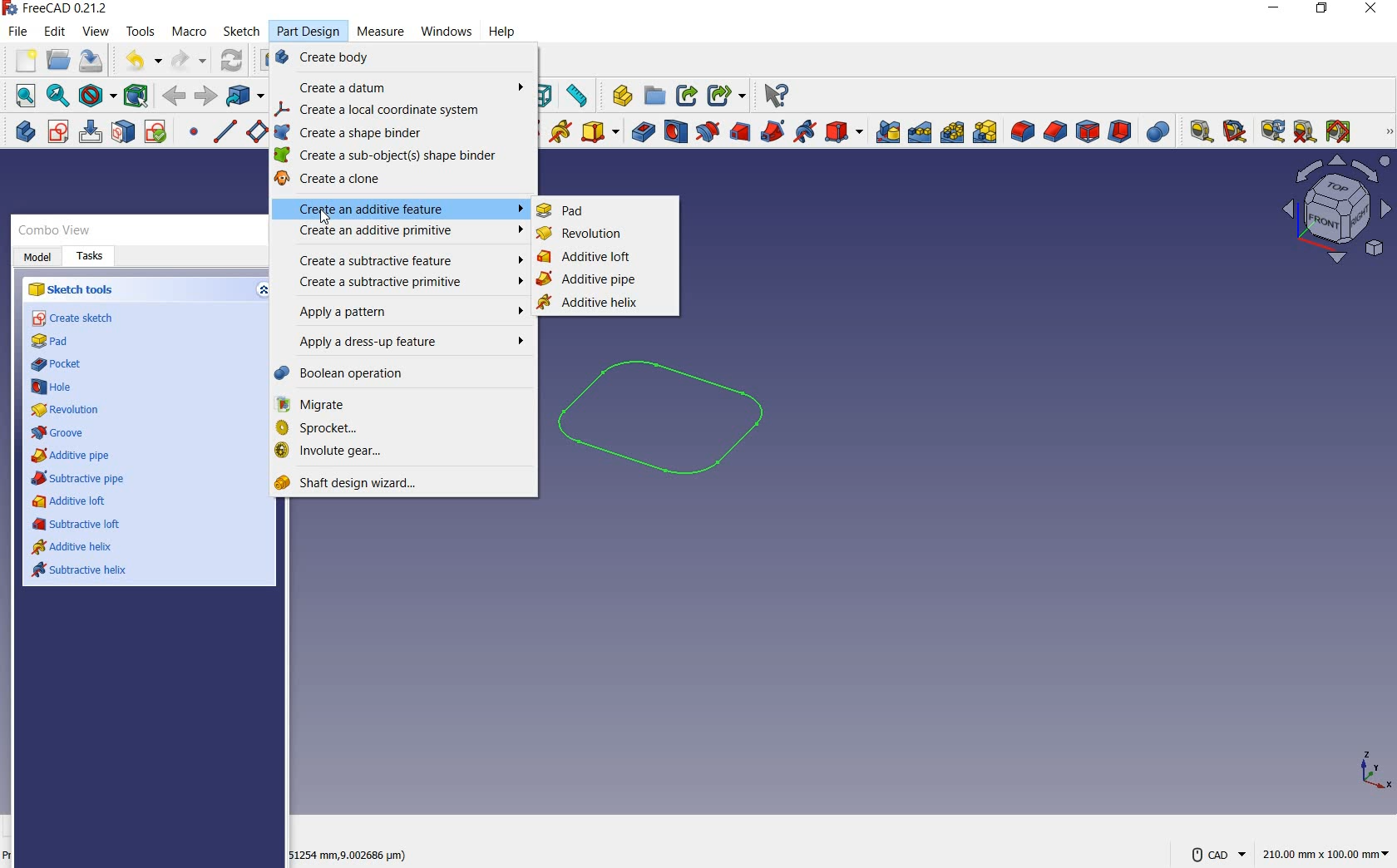  What do you see at coordinates (1087, 130) in the screenshot?
I see `draft` at bounding box center [1087, 130].